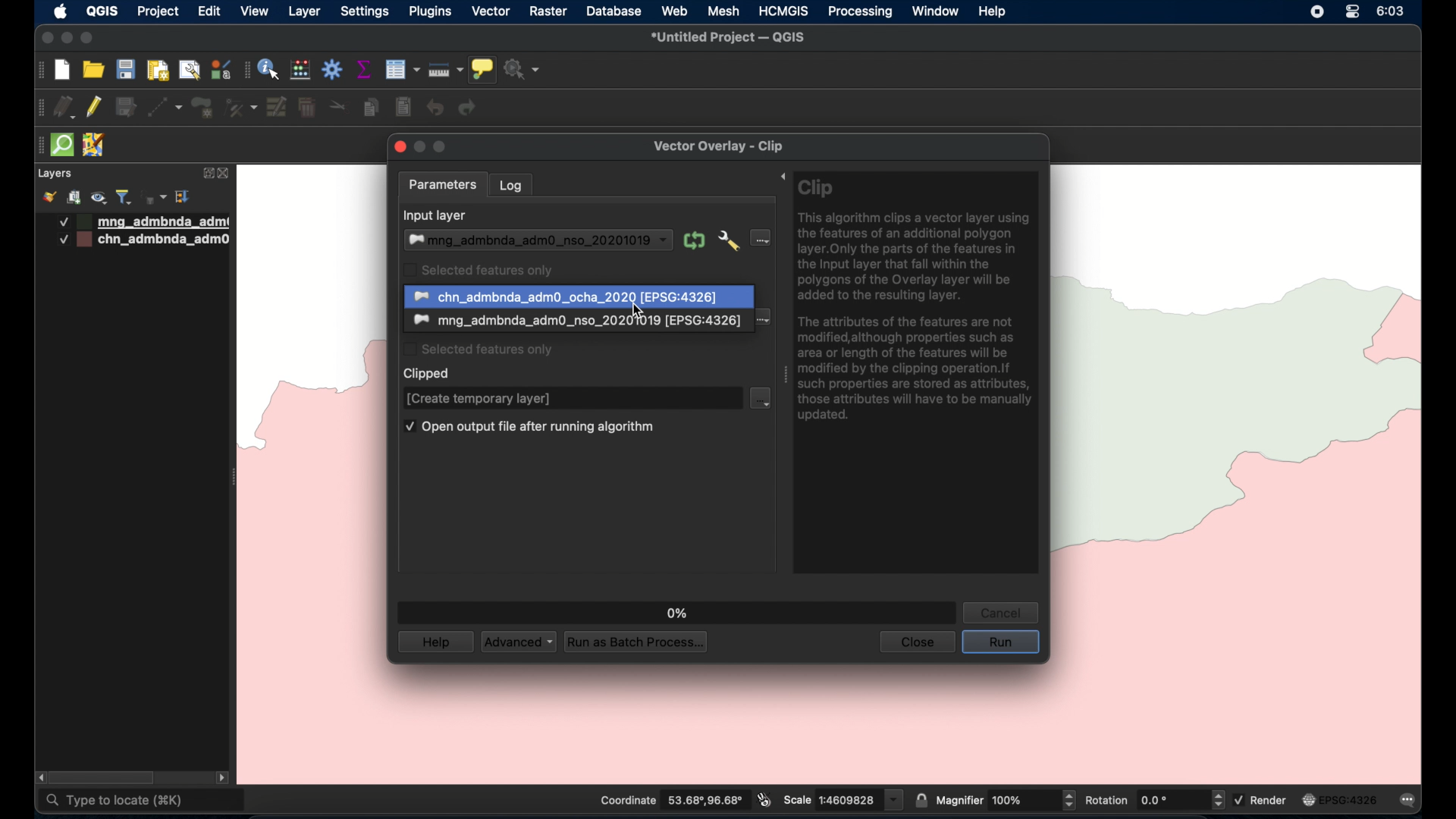 The width and height of the screenshot is (1456, 819). What do you see at coordinates (227, 174) in the screenshot?
I see `close` at bounding box center [227, 174].